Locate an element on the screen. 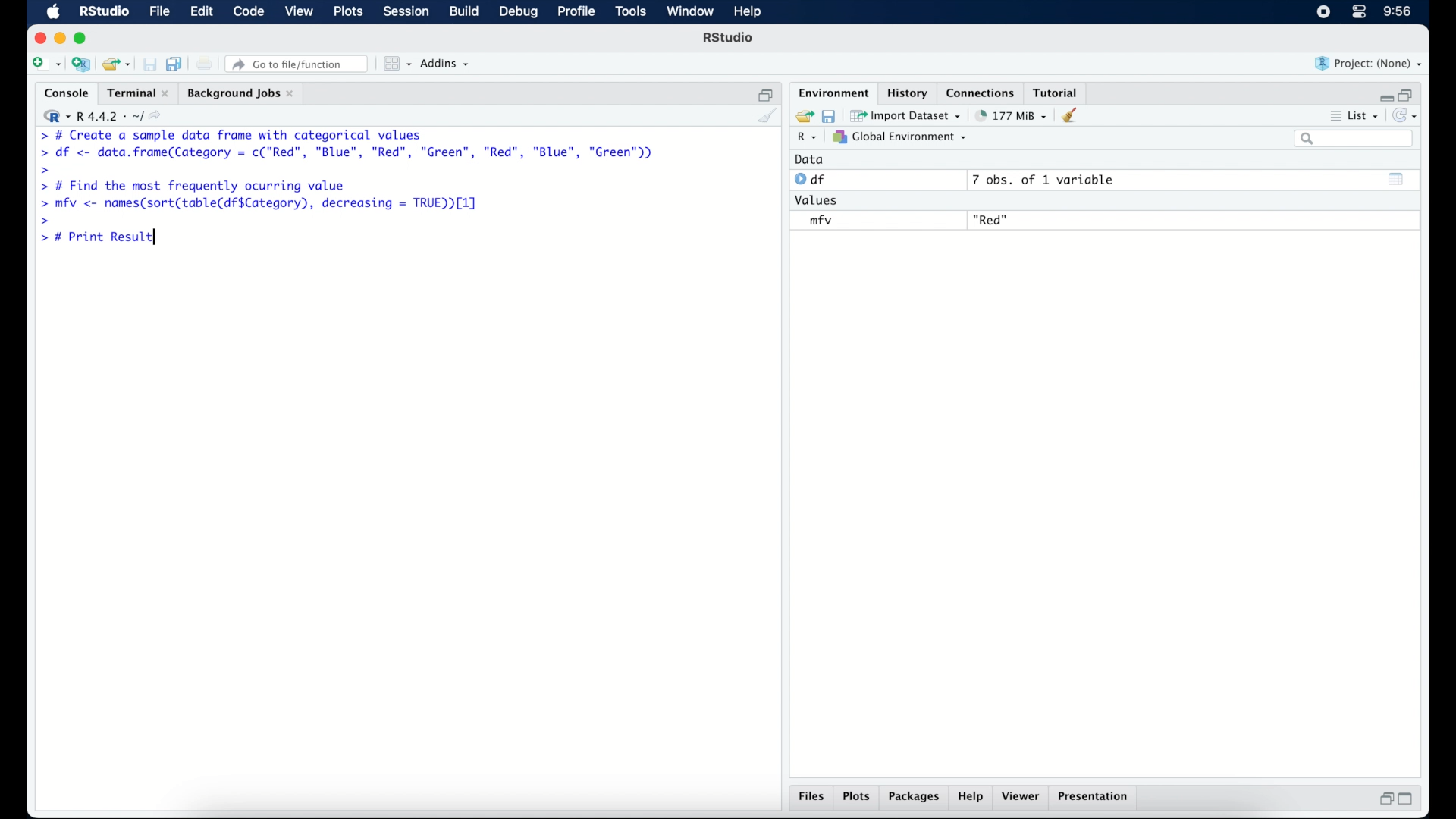 The width and height of the screenshot is (1456, 819). R is located at coordinates (810, 138).